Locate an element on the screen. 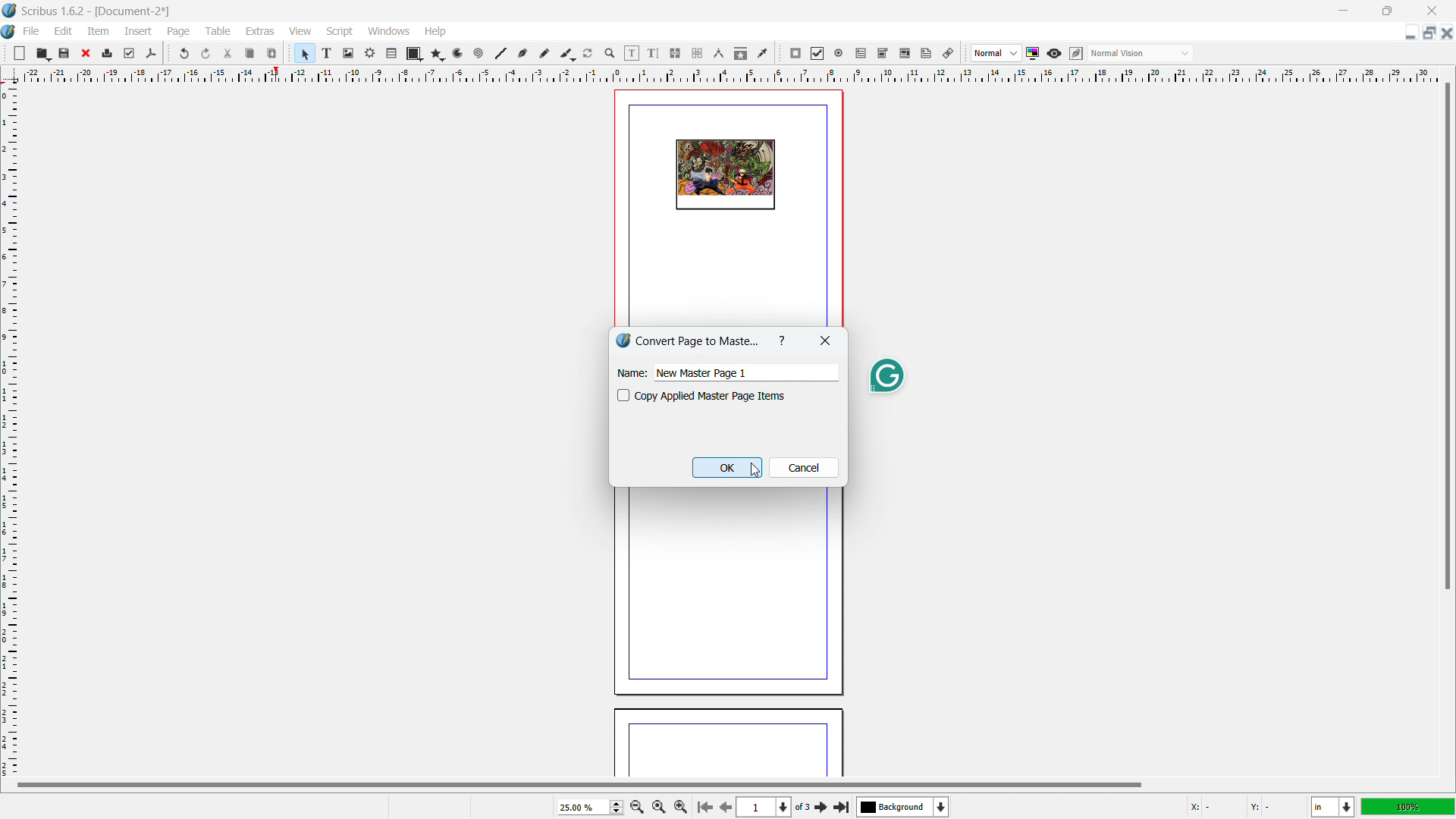  pdf combo box is located at coordinates (882, 53).